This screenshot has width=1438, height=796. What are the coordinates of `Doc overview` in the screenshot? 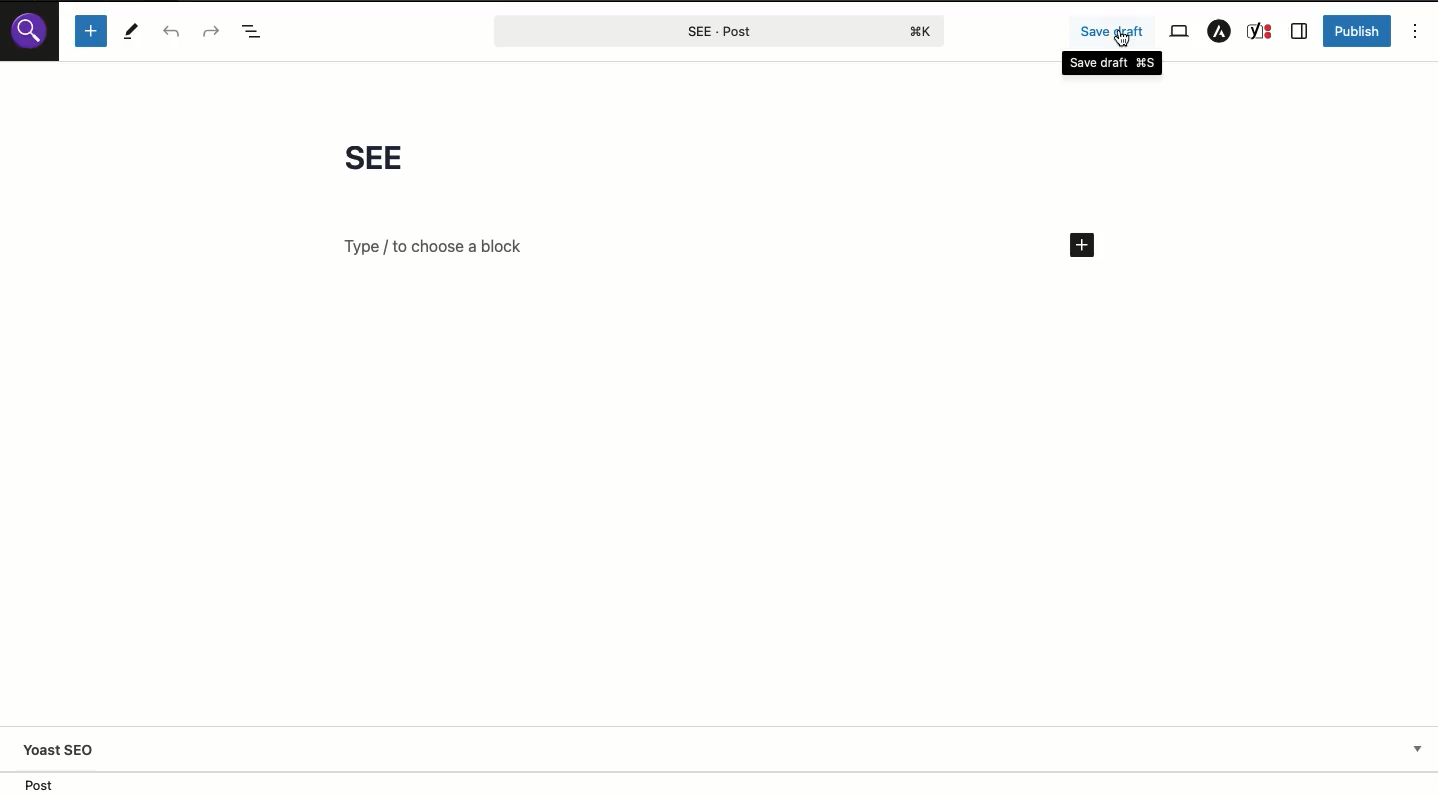 It's located at (252, 33).